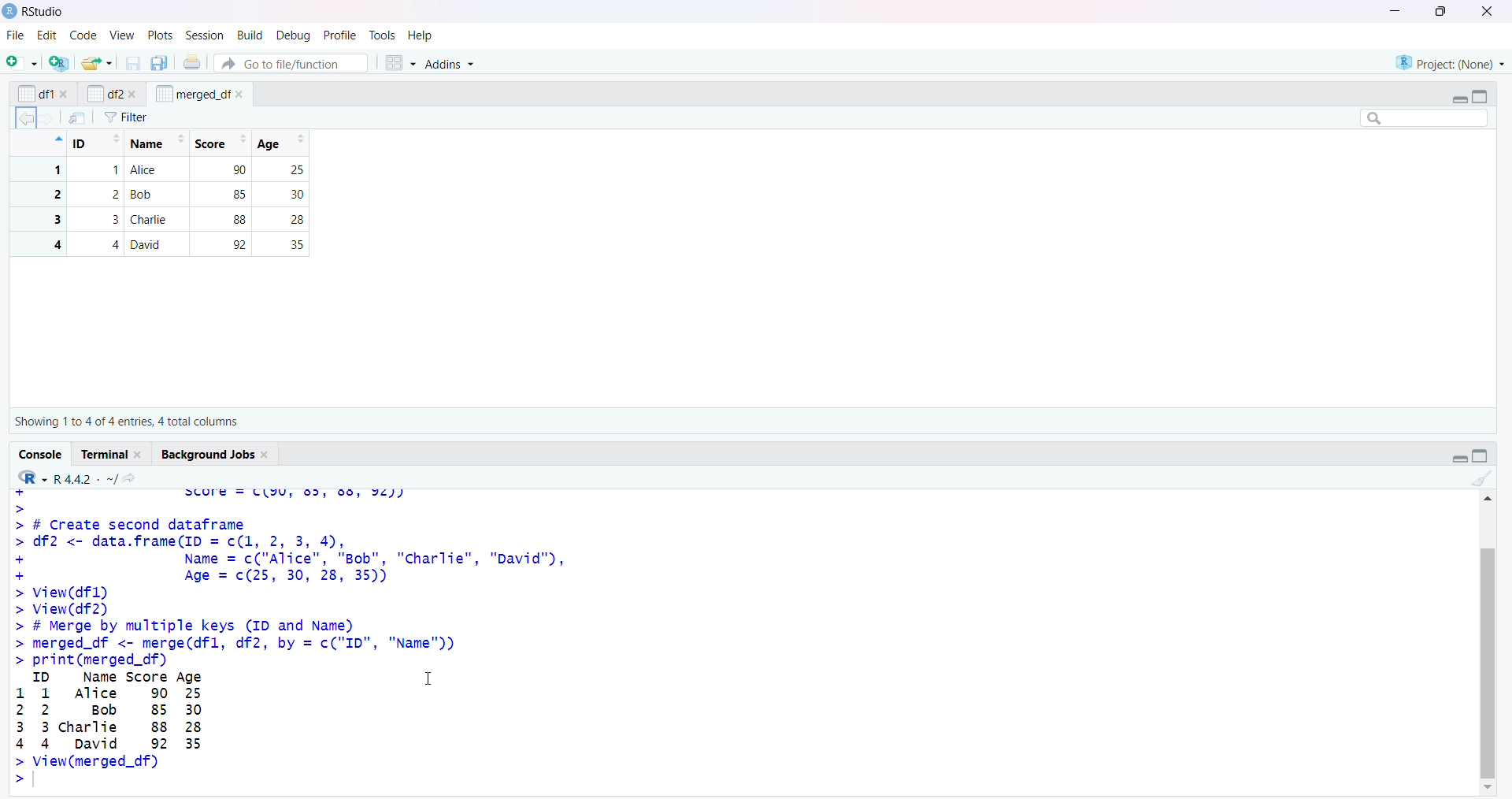 This screenshot has width=1512, height=799. I want to click on 3 3 Charlie 88 28, so click(164, 219).